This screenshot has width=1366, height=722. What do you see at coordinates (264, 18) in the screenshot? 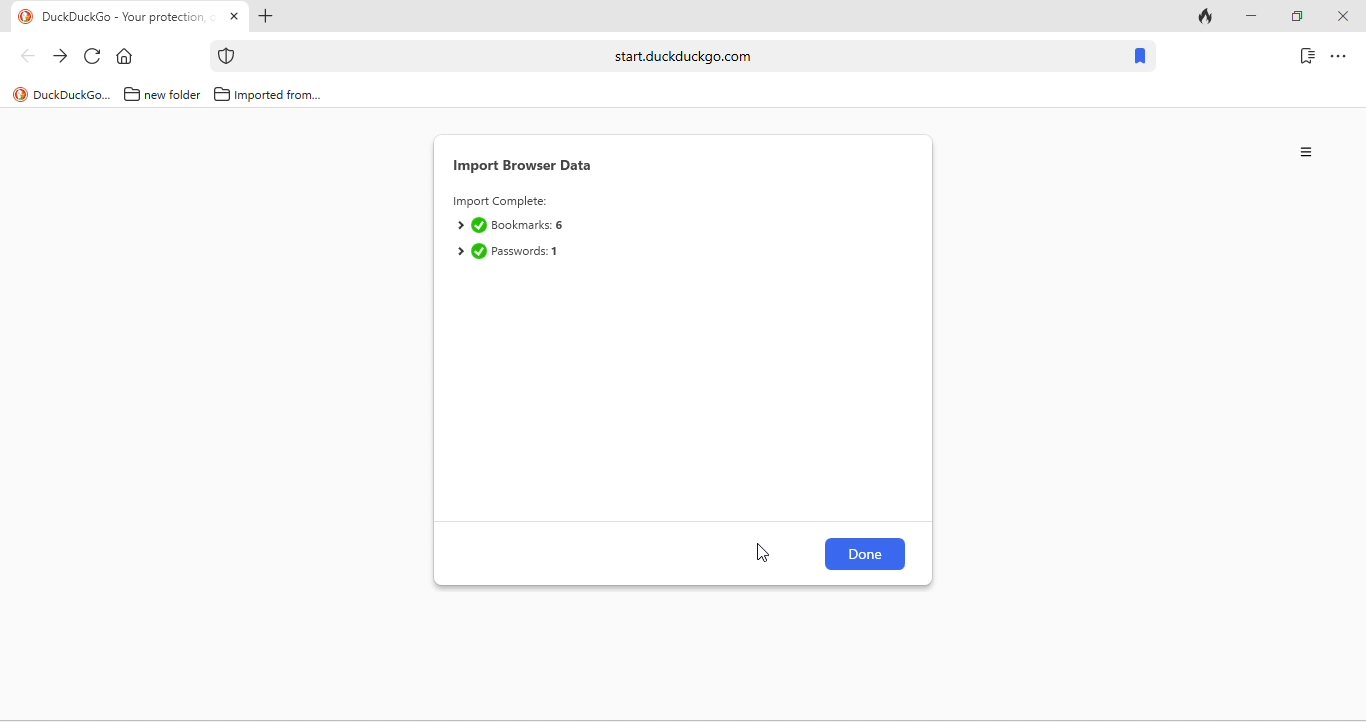
I see `add tab` at bounding box center [264, 18].